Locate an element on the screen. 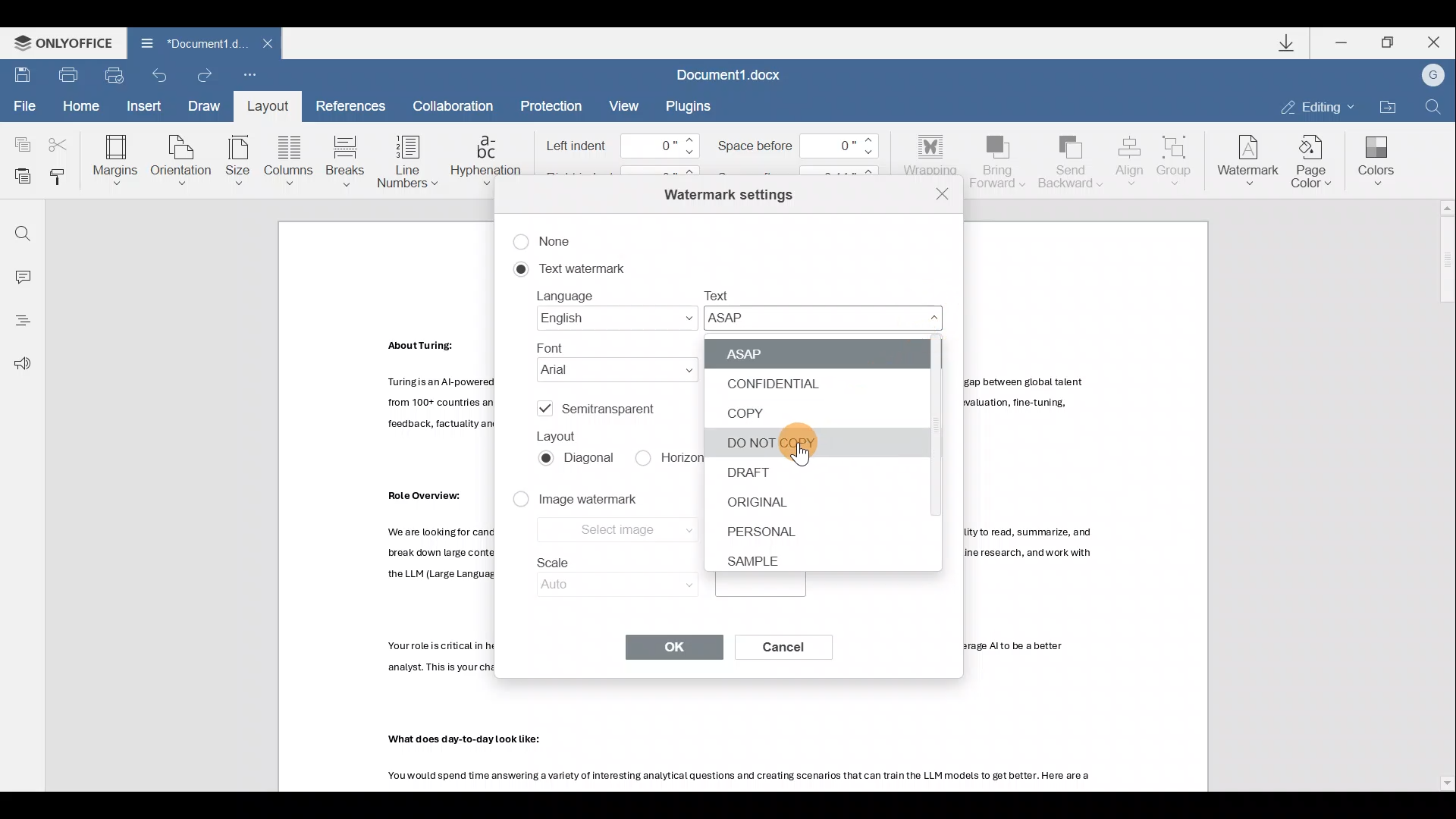 The image size is (1456, 819). ORIGINAL is located at coordinates (759, 504).